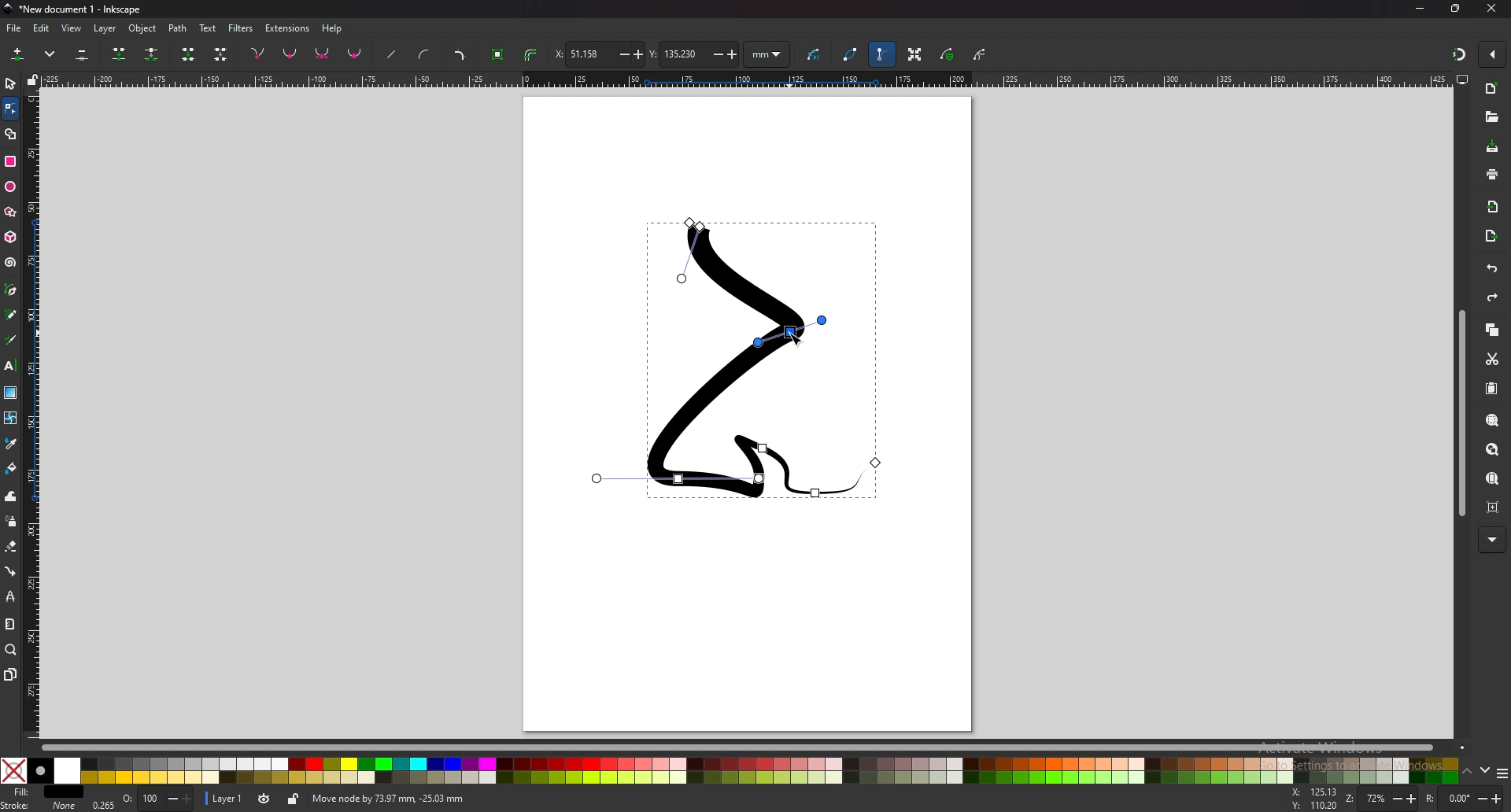  What do you see at coordinates (767, 55) in the screenshot?
I see `unit` at bounding box center [767, 55].